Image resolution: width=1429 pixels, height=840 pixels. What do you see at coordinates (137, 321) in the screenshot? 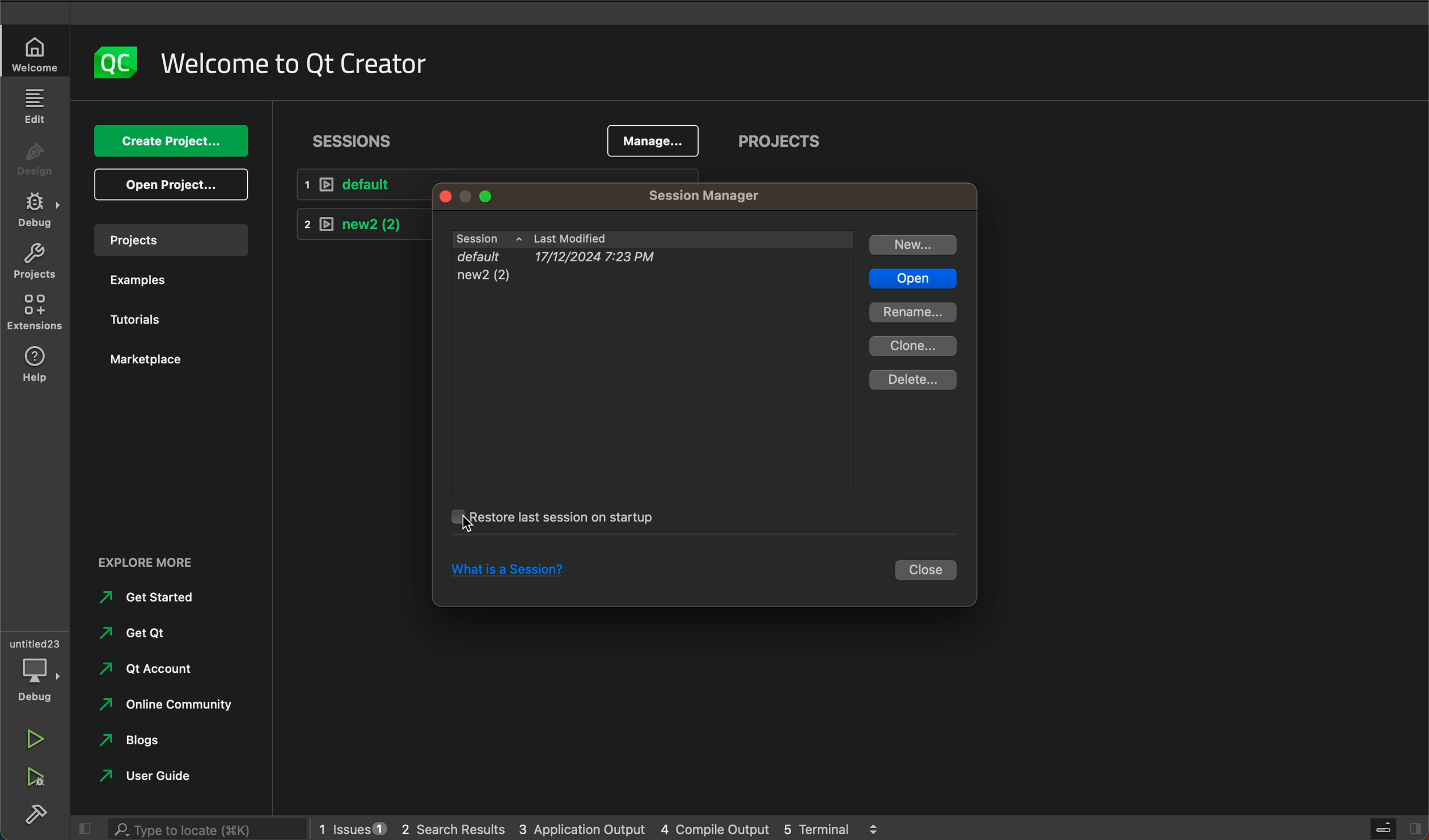
I see `tutorials` at bounding box center [137, 321].